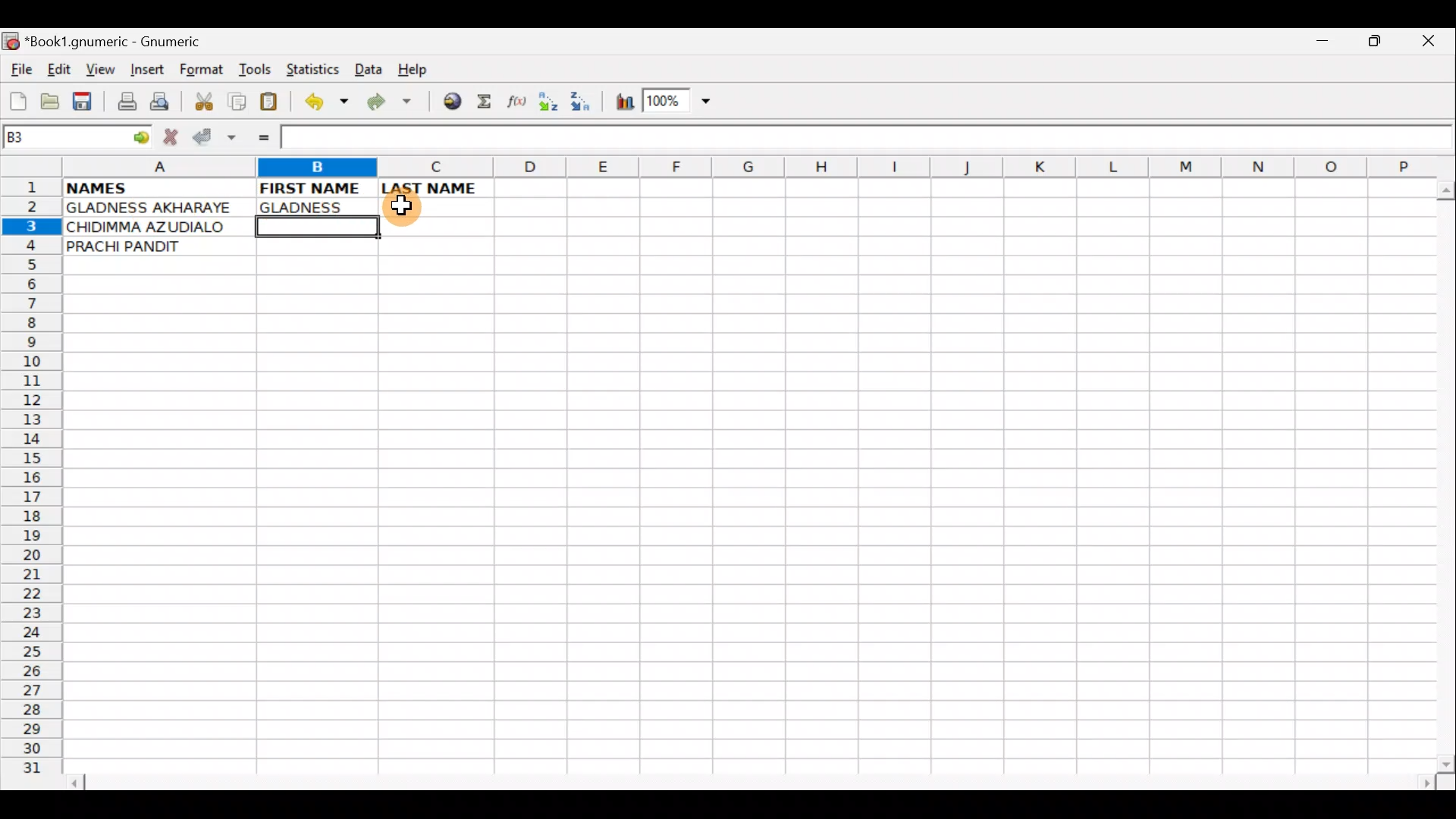 The width and height of the screenshot is (1456, 819). Describe the element at coordinates (310, 205) in the screenshot. I see `GLADNESS` at that location.